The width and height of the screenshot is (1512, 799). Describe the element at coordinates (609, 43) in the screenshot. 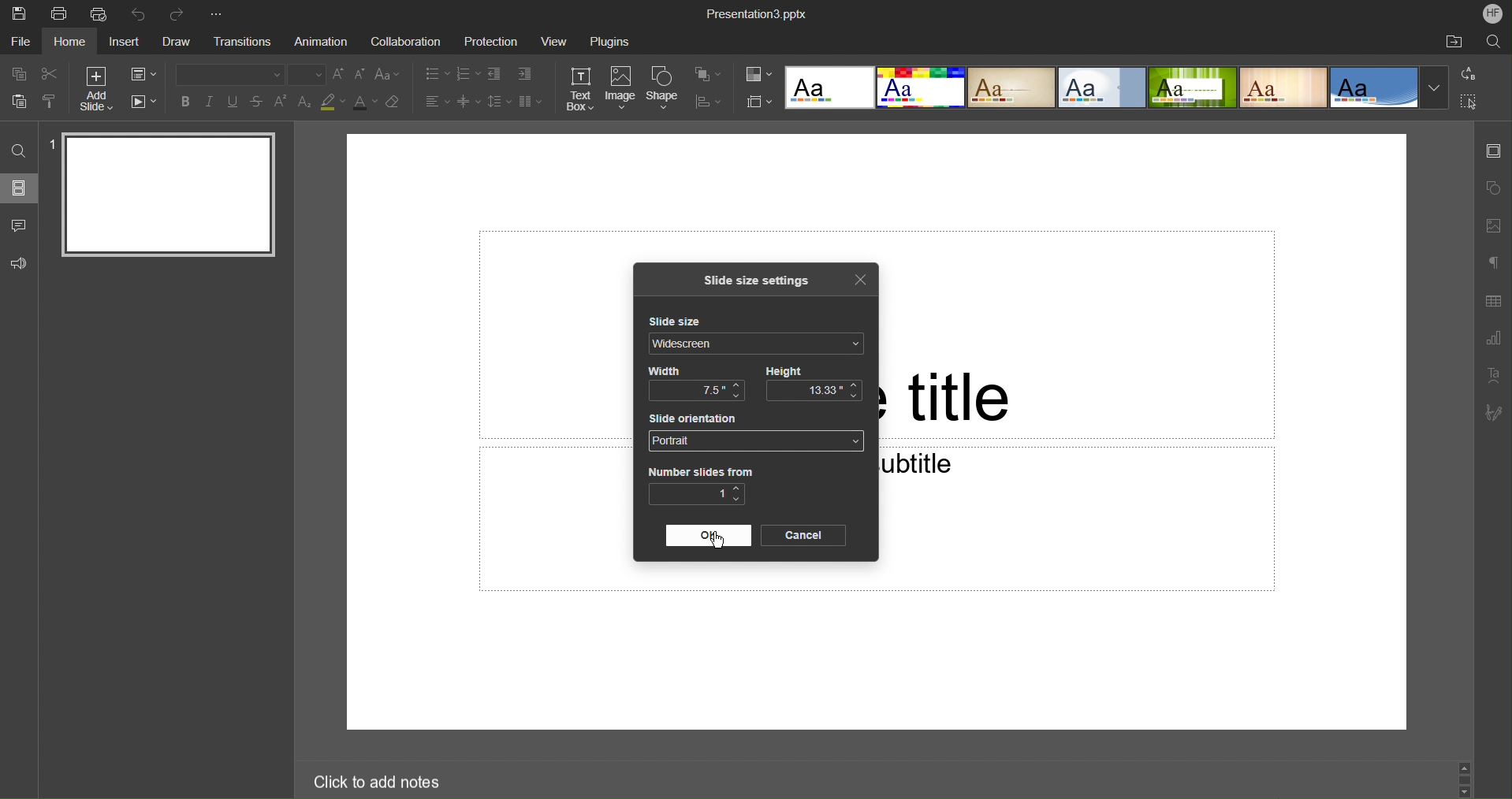

I see `Plugins` at that location.